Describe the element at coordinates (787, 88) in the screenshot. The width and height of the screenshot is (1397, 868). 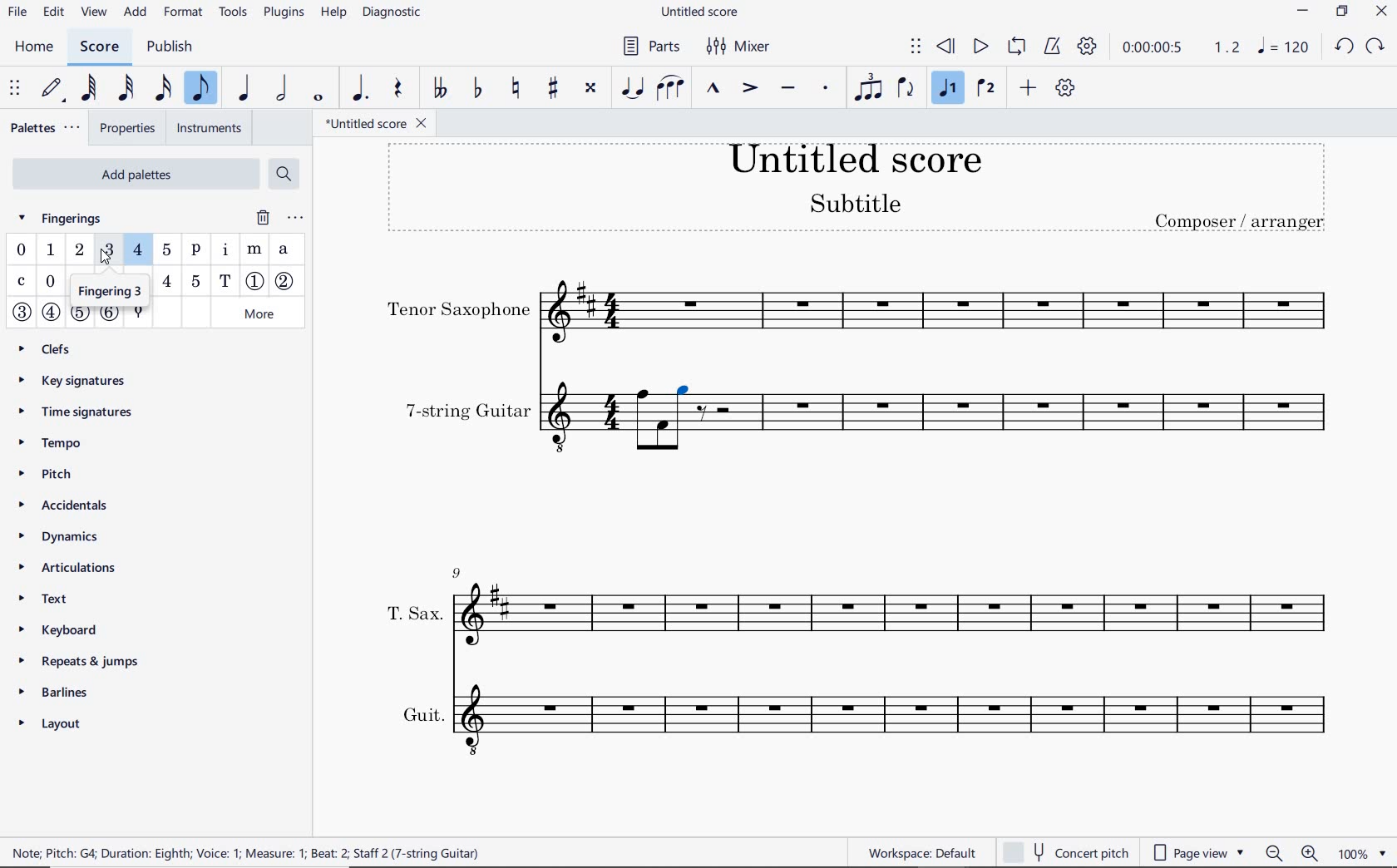
I see `TENUTO` at that location.